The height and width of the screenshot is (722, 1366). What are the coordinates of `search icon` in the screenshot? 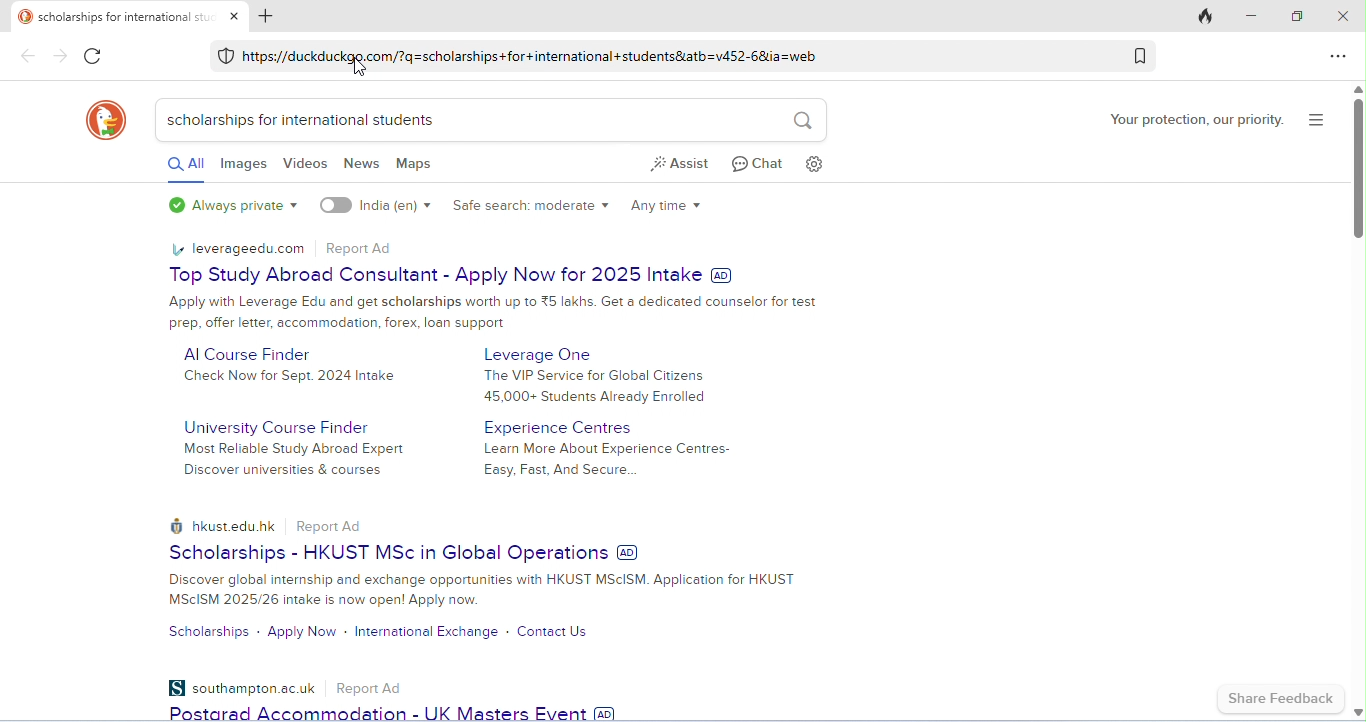 It's located at (802, 120).